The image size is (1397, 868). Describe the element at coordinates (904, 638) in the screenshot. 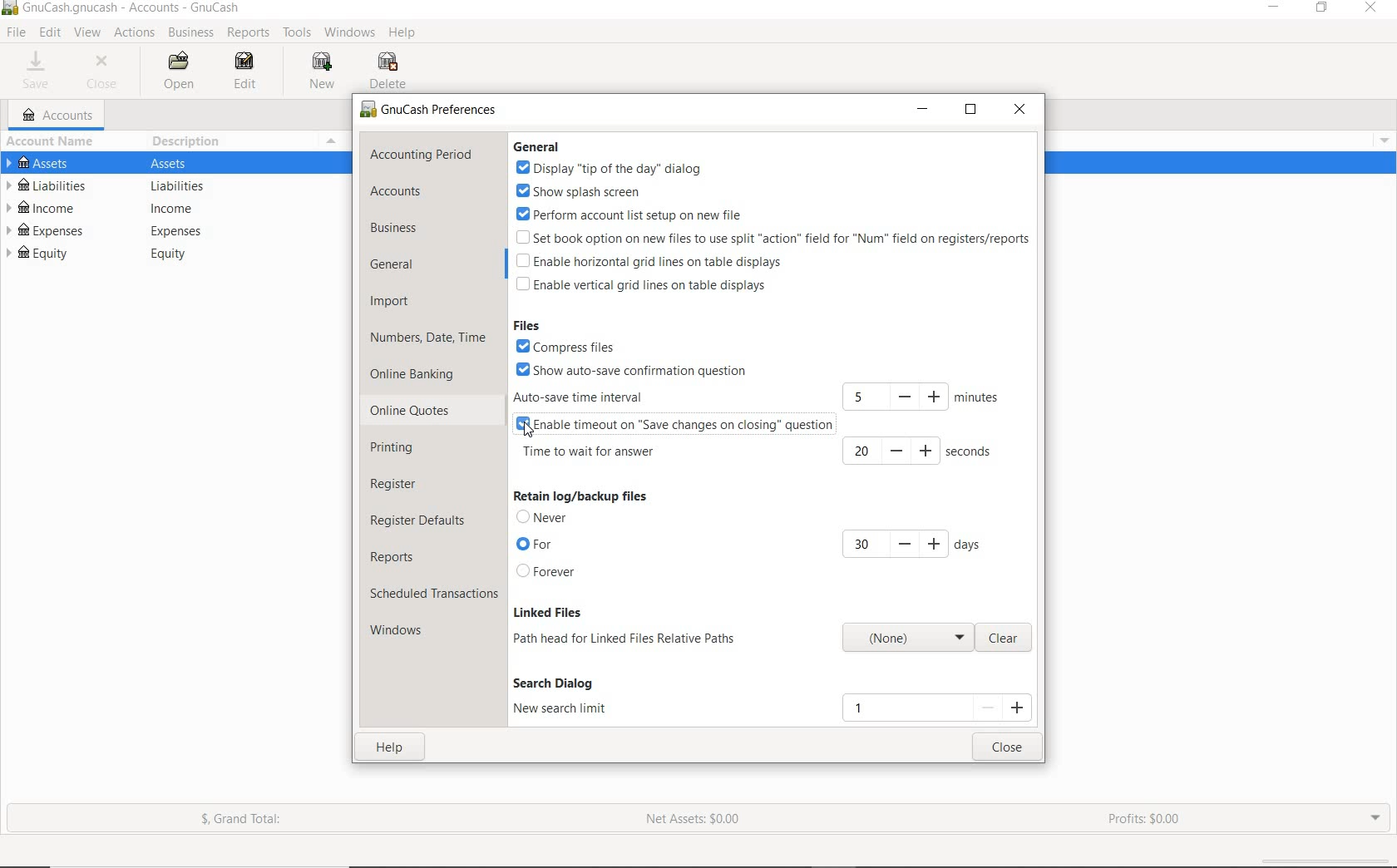

I see `path head` at that location.